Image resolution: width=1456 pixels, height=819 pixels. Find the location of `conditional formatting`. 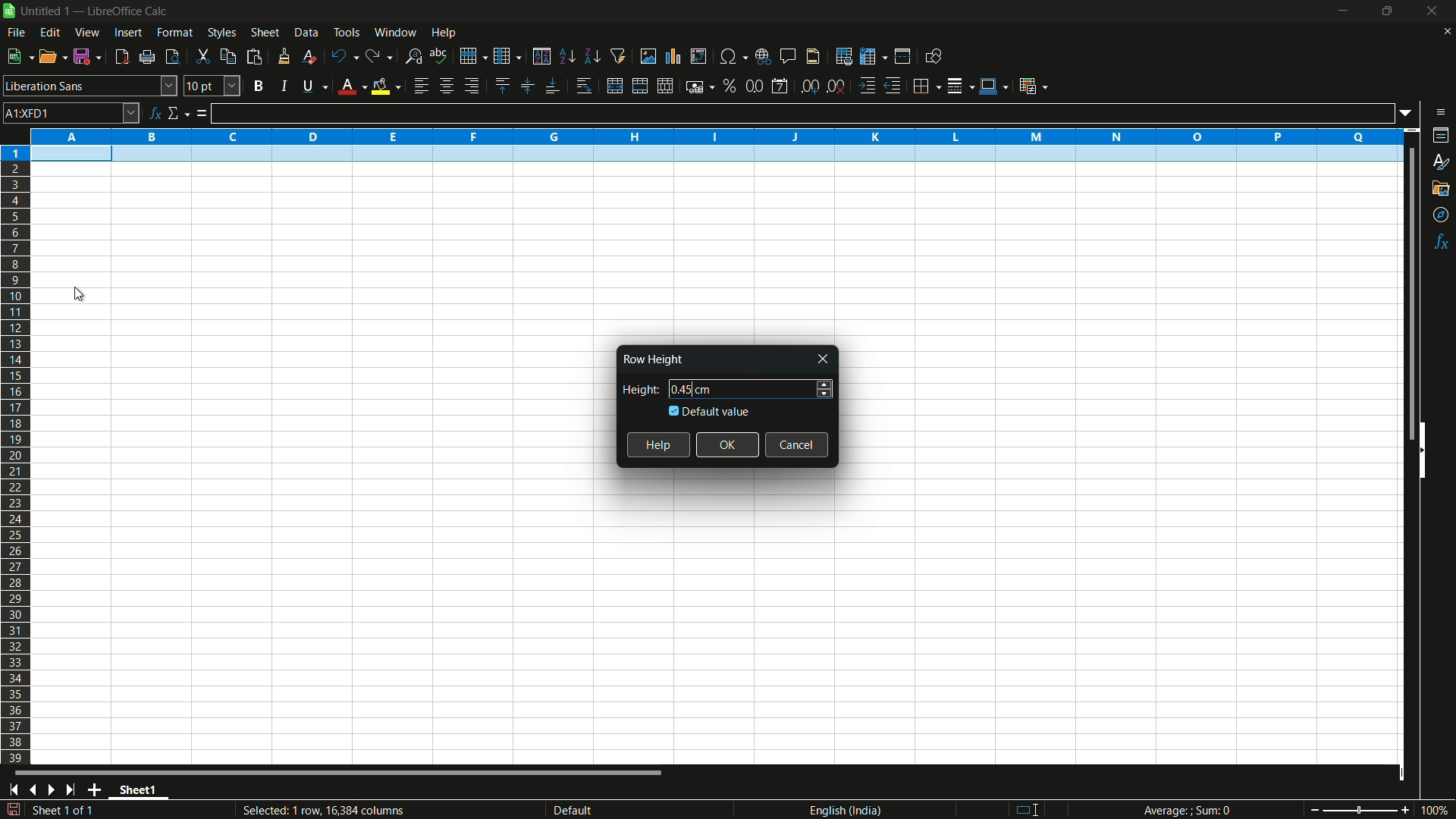

conditional formatting is located at coordinates (1032, 86).